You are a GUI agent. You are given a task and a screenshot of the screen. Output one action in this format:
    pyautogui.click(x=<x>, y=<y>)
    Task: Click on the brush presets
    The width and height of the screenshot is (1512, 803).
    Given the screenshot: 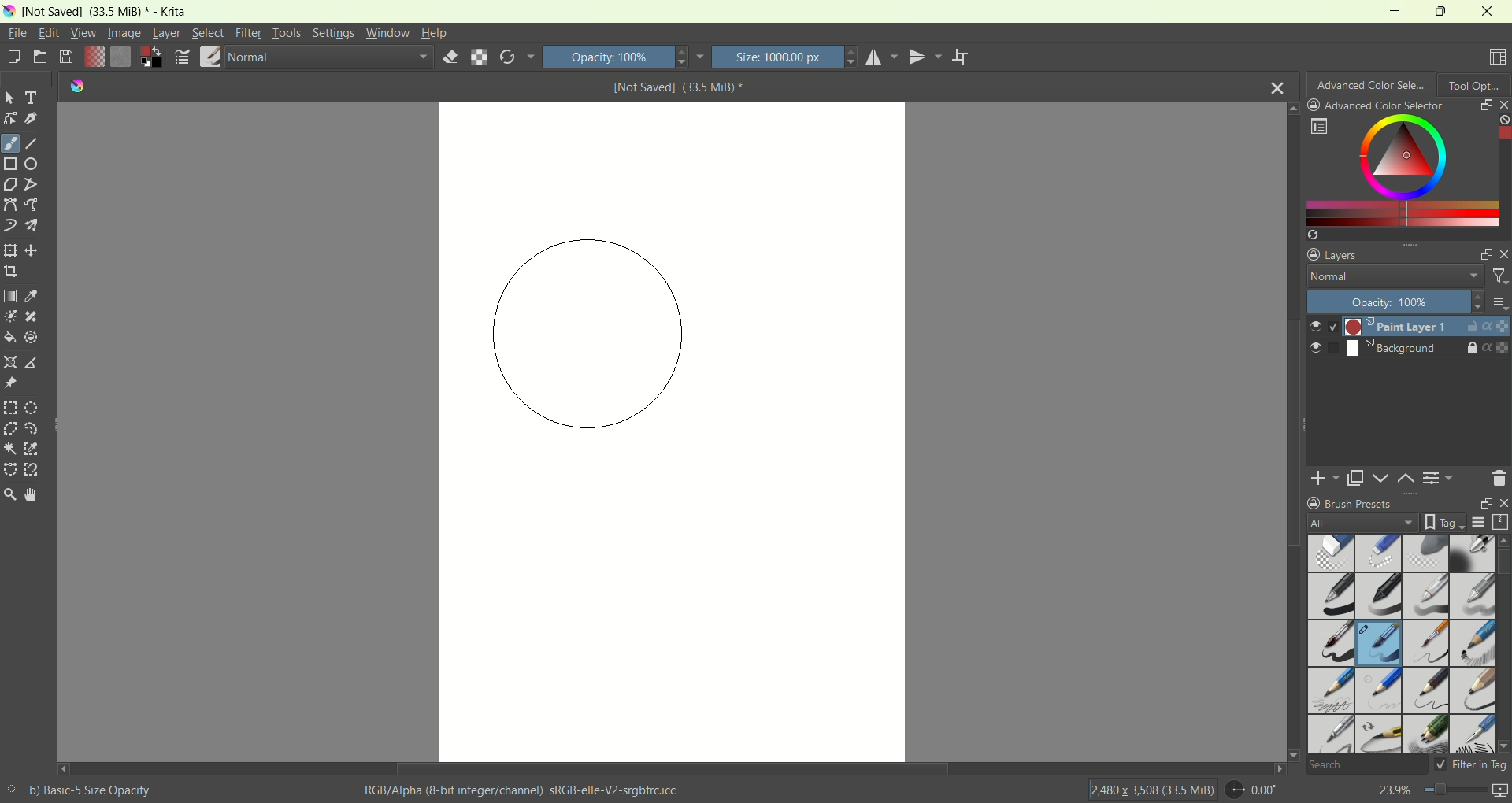 What is the action you would take?
    pyautogui.click(x=1350, y=503)
    